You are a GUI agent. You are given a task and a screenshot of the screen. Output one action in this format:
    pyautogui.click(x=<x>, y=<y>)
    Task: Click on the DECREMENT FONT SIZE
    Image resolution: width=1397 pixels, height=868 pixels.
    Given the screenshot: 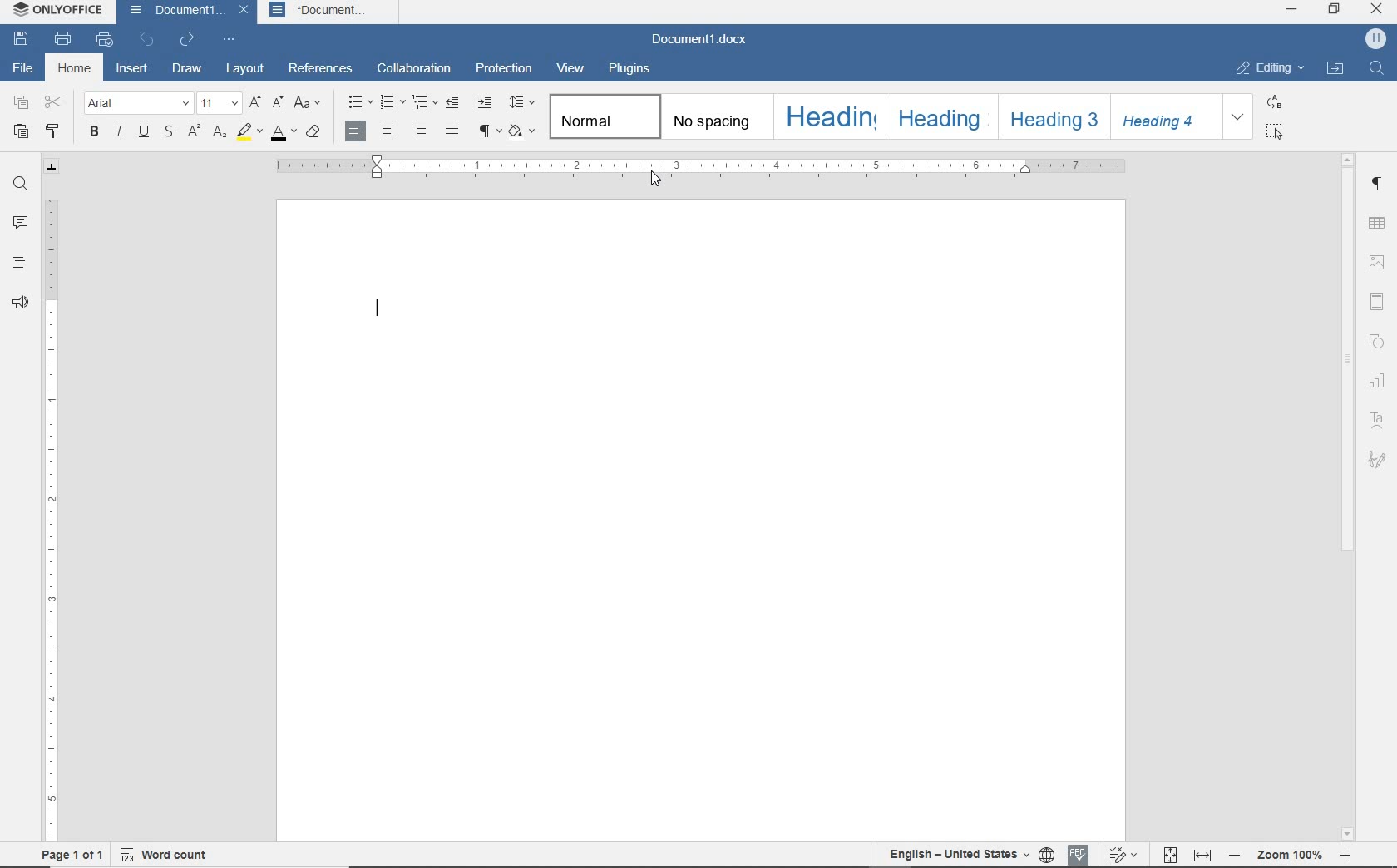 What is the action you would take?
    pyautogui.click(x=278, y=103)
    